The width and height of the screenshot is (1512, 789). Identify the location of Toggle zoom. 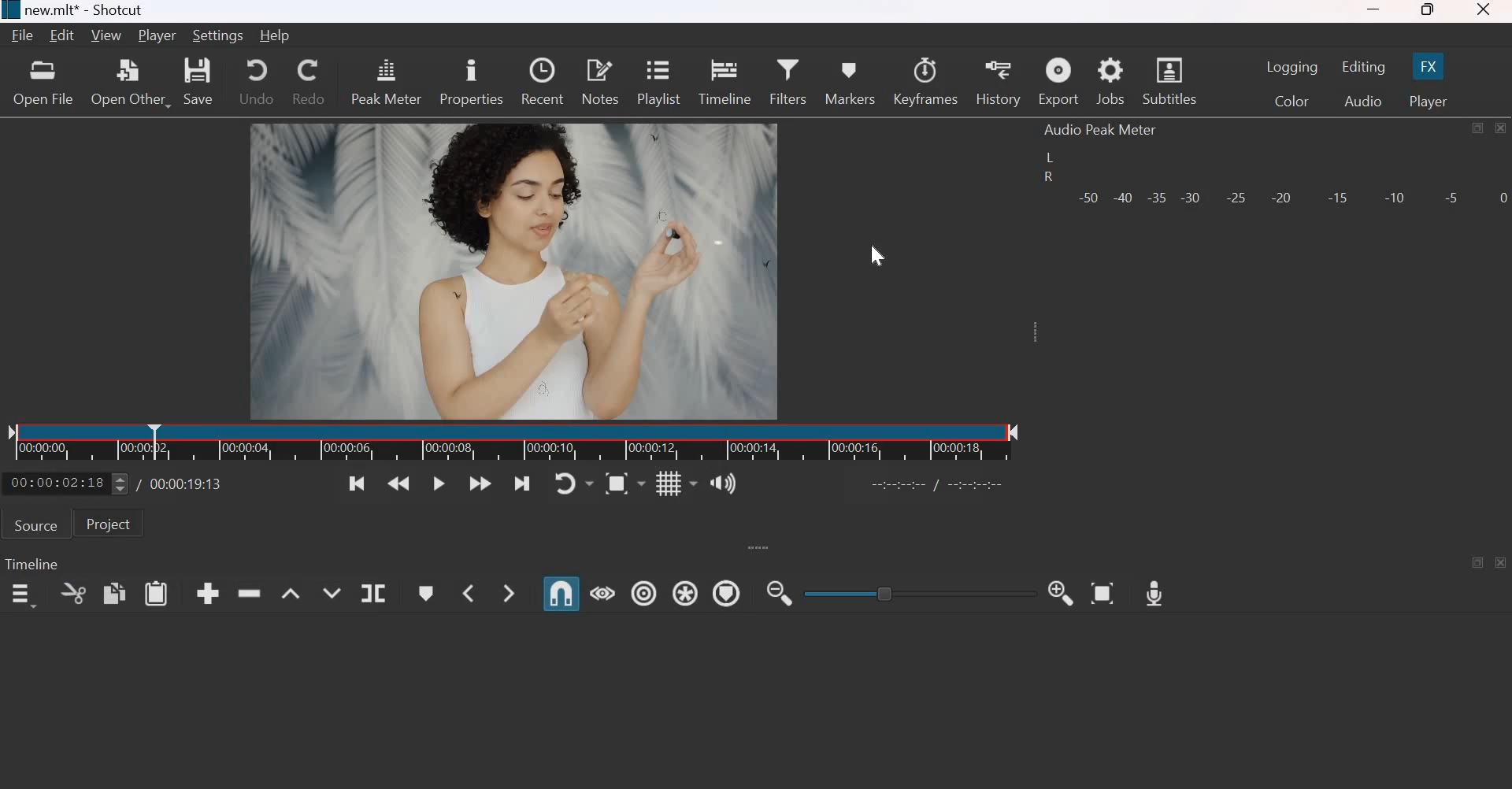
(626, 484).